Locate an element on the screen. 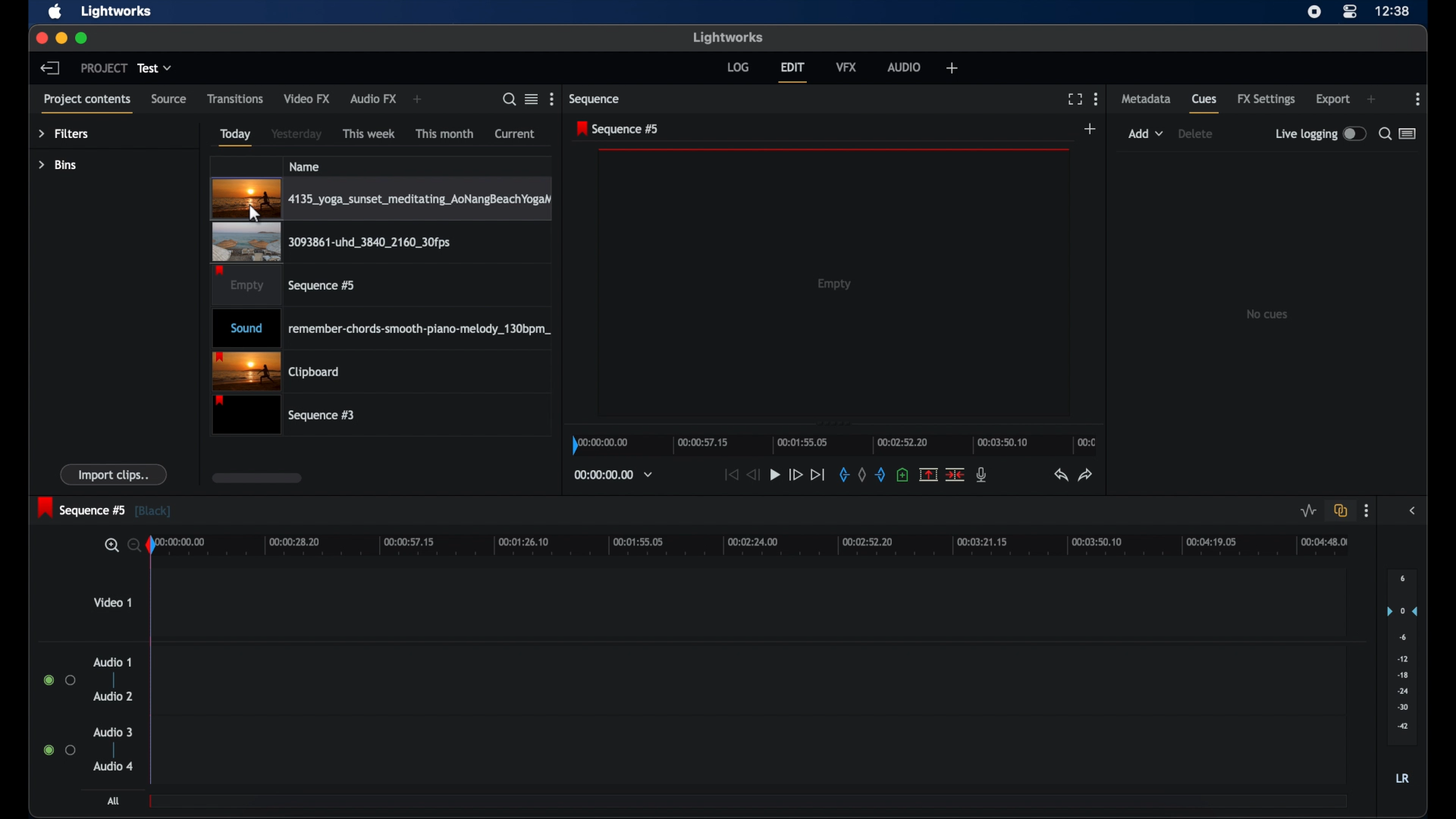  clear all marks is located at coordinates (861, 474).